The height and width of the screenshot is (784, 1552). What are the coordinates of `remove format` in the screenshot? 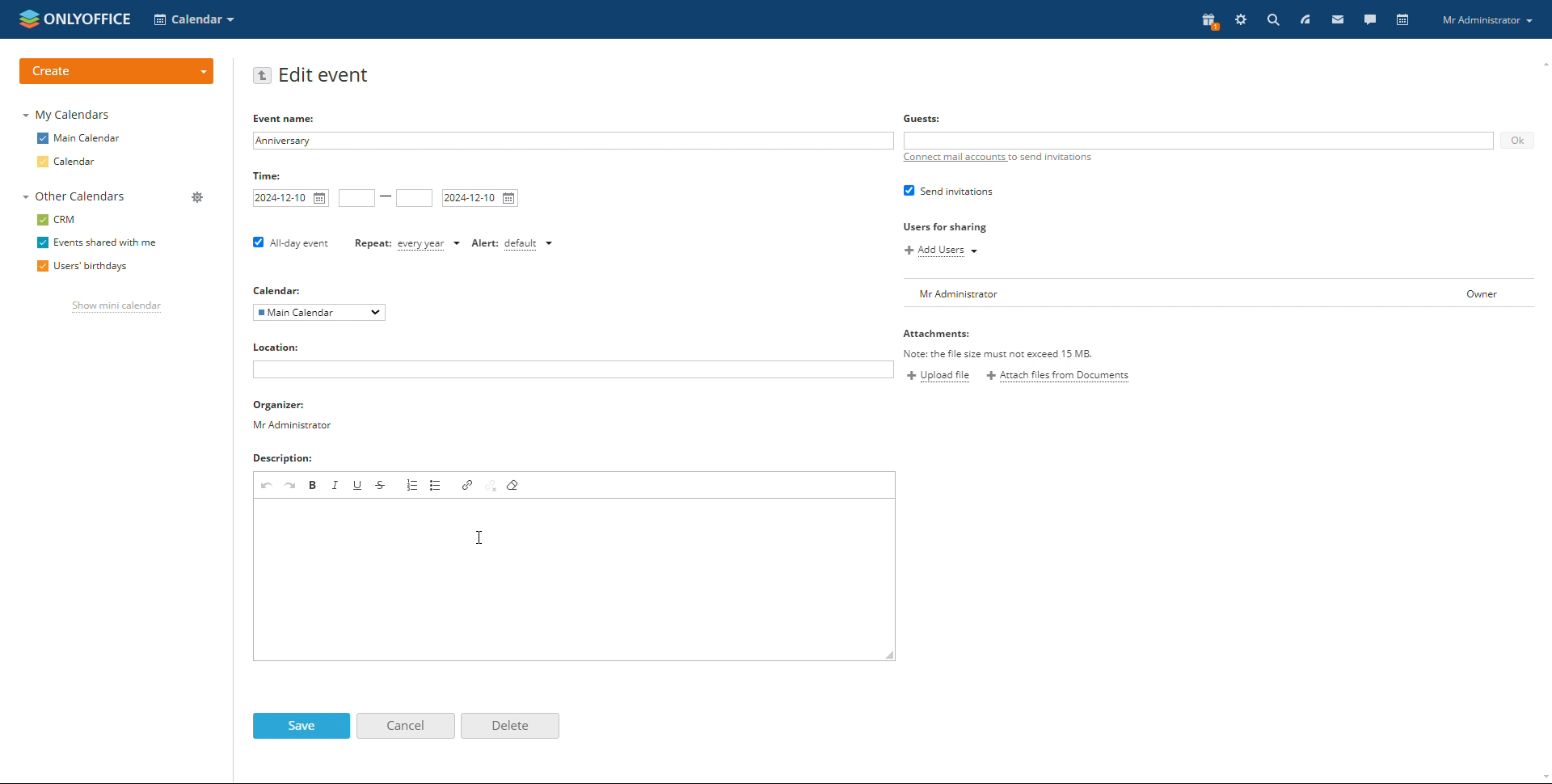 It's located at (514, 484).